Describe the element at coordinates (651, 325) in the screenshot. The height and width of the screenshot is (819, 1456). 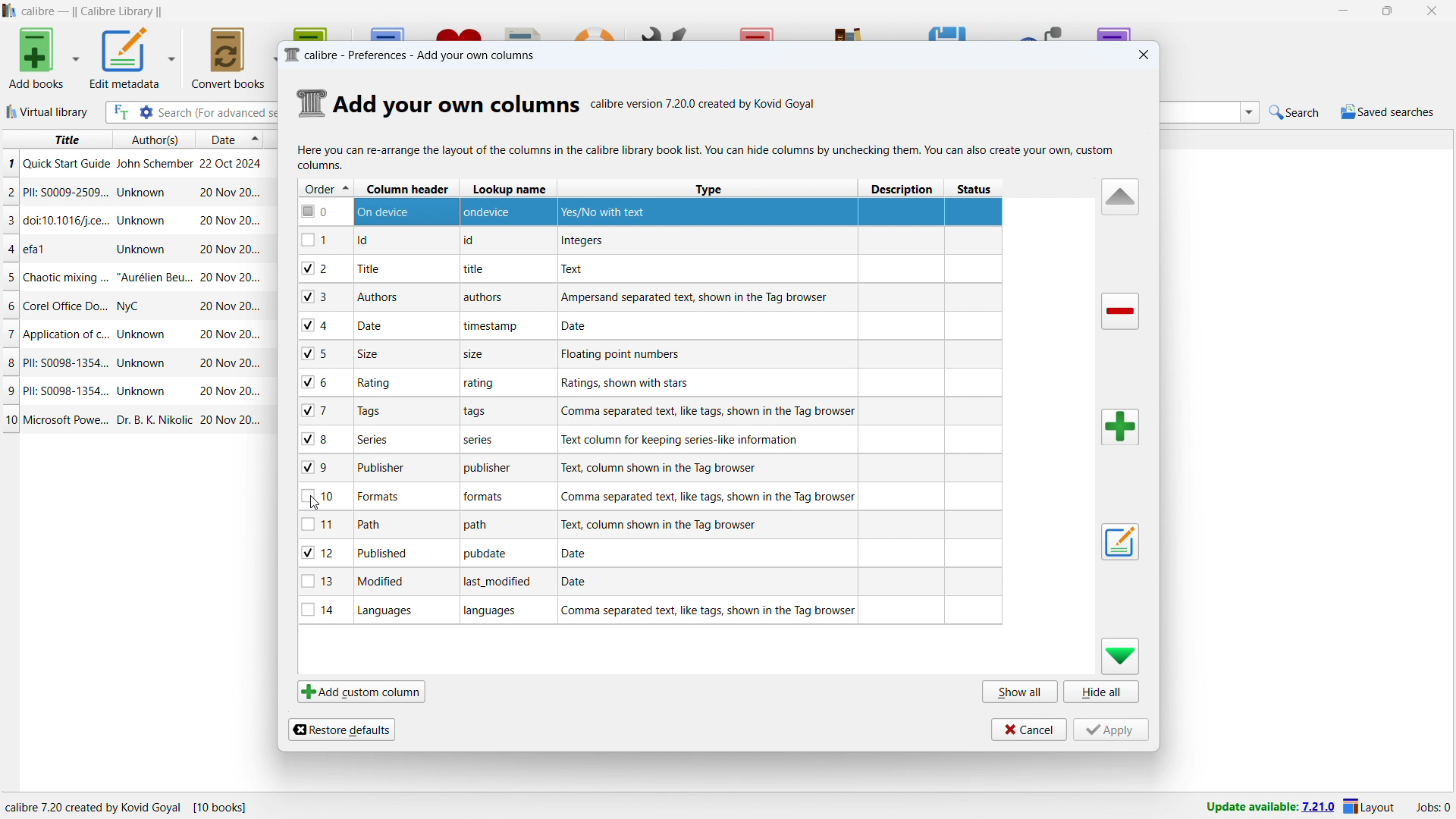
I see `Vv 4 Date timestamp Date` at that location.